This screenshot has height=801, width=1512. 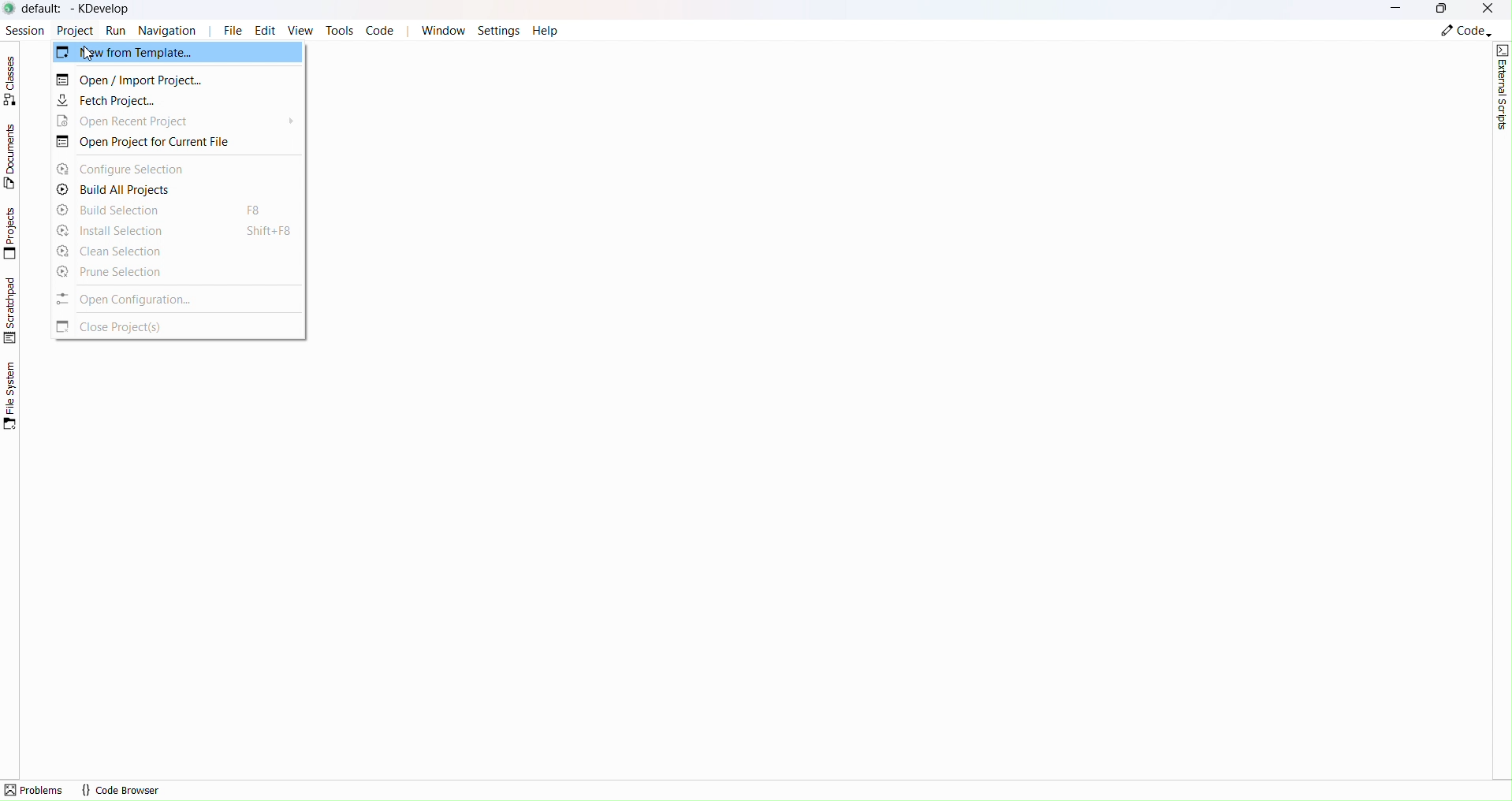 What do you see at coordinates (233, 31) in the screenshot?
I see `File` at bounding box center [233, 31].